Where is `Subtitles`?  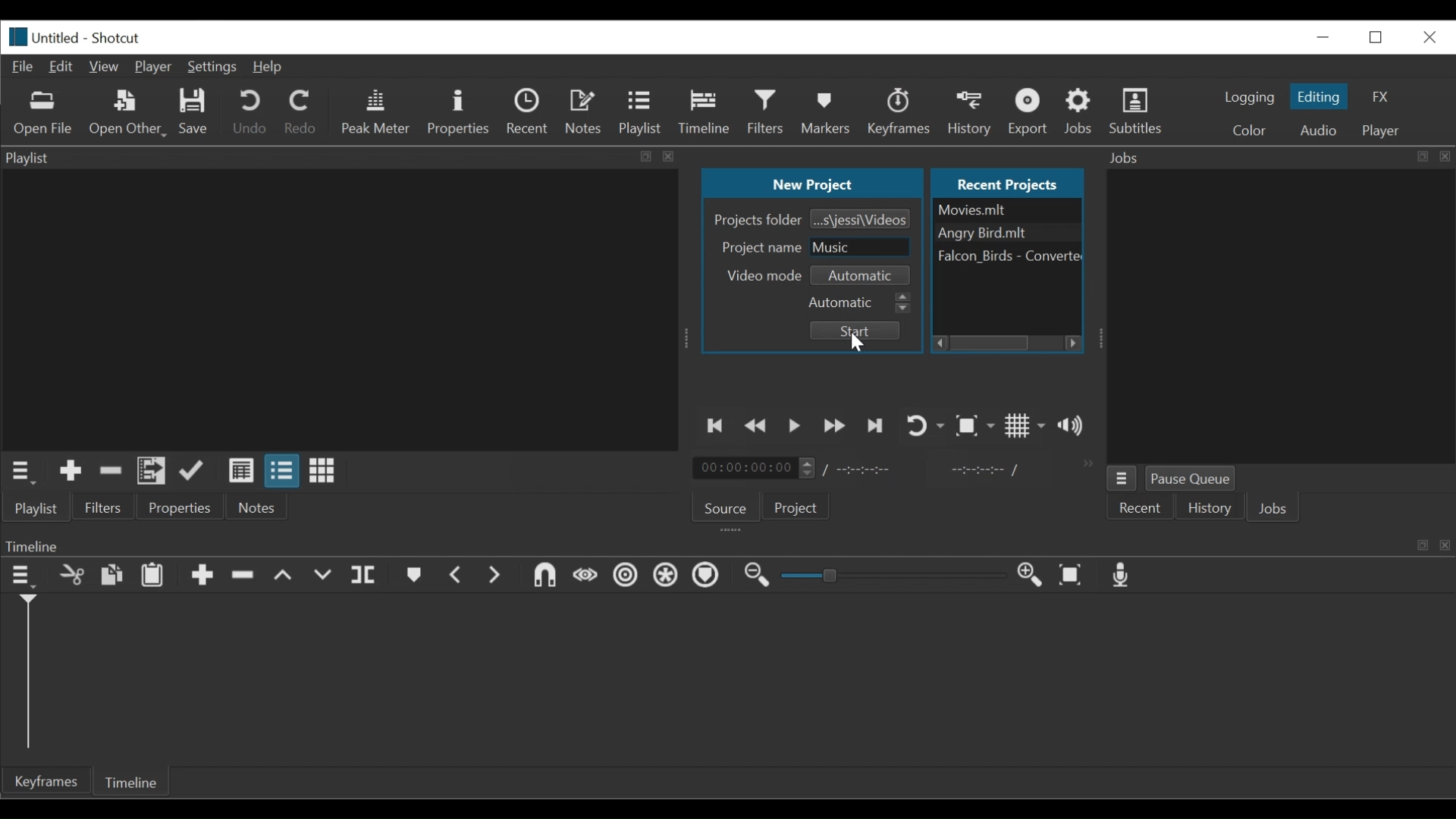
Subtitles is located at coordinates (1135, 111).